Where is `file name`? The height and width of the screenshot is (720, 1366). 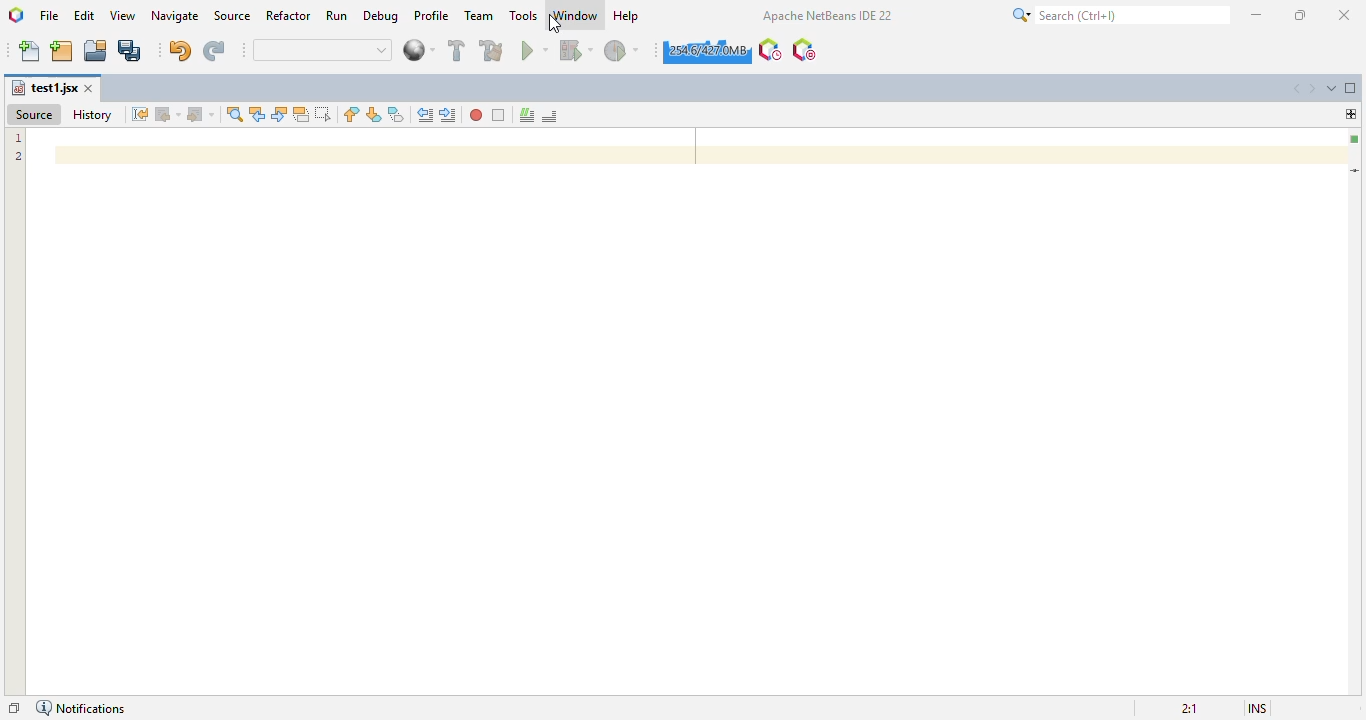 file name is located at coordinates (44, 88).